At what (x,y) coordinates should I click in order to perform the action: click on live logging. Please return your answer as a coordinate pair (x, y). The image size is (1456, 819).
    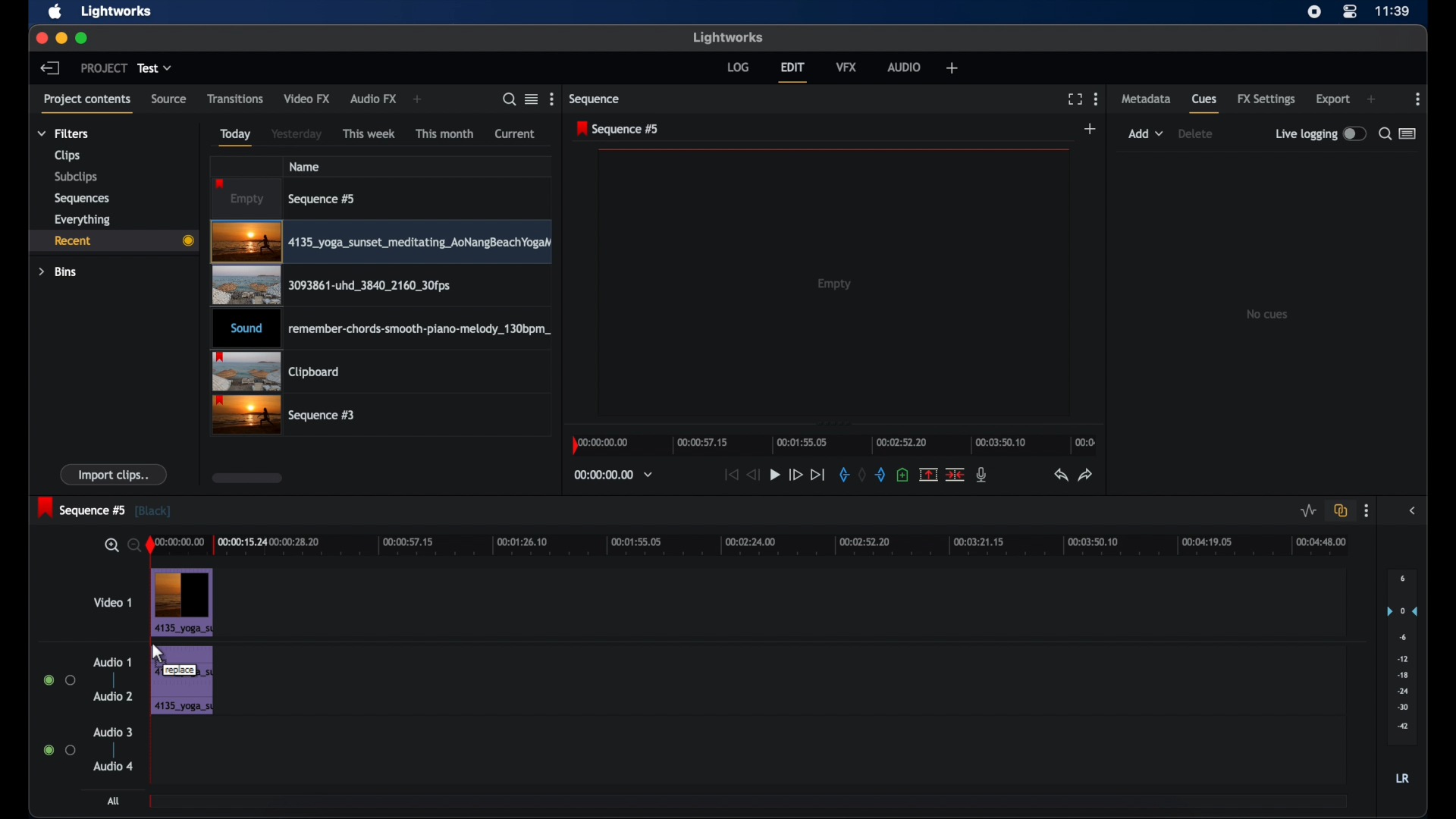
    Looking at the image, I should click on (1321, 133).